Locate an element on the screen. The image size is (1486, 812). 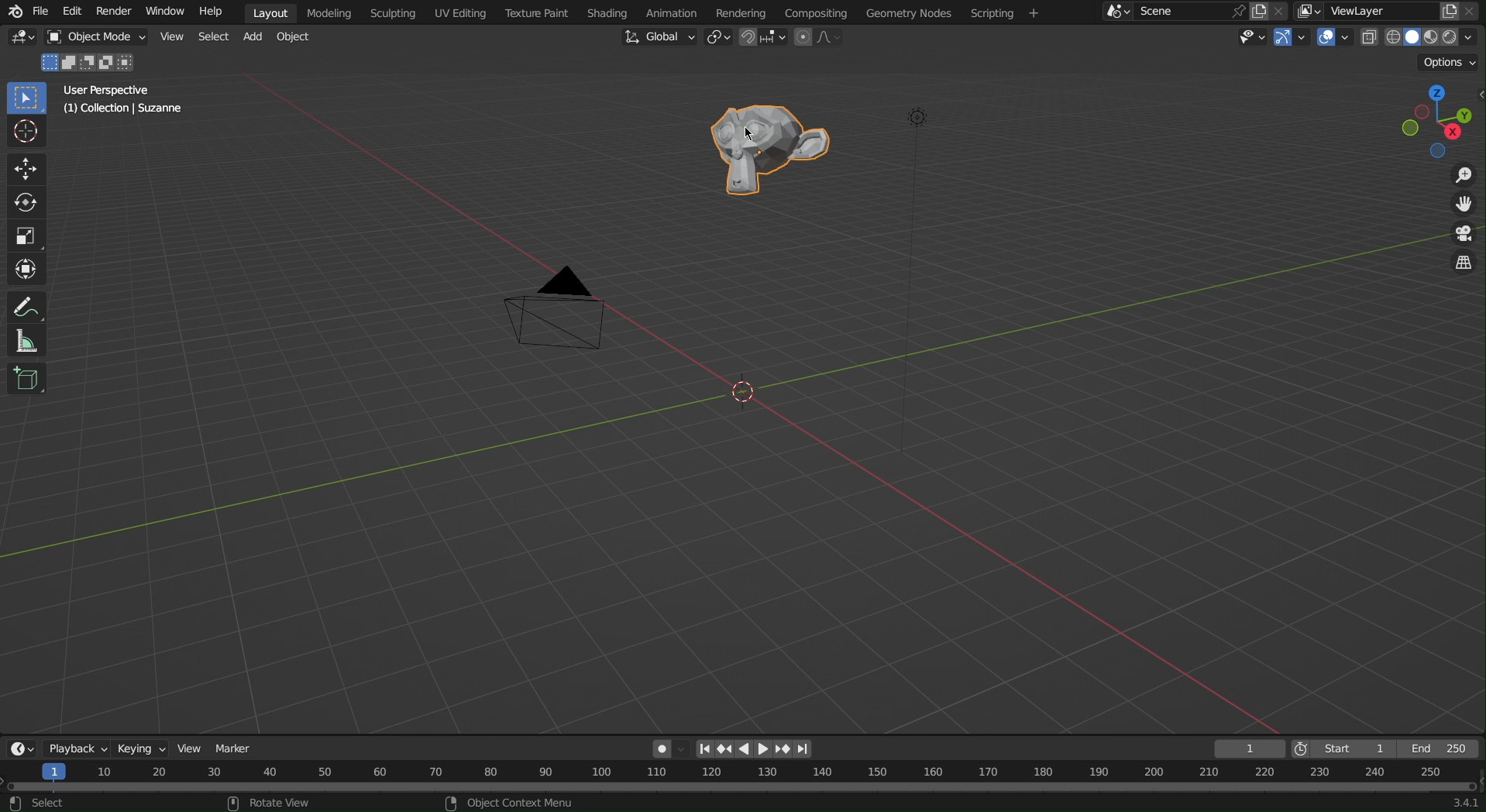
Zoom is located at coordinates (1463, 176).